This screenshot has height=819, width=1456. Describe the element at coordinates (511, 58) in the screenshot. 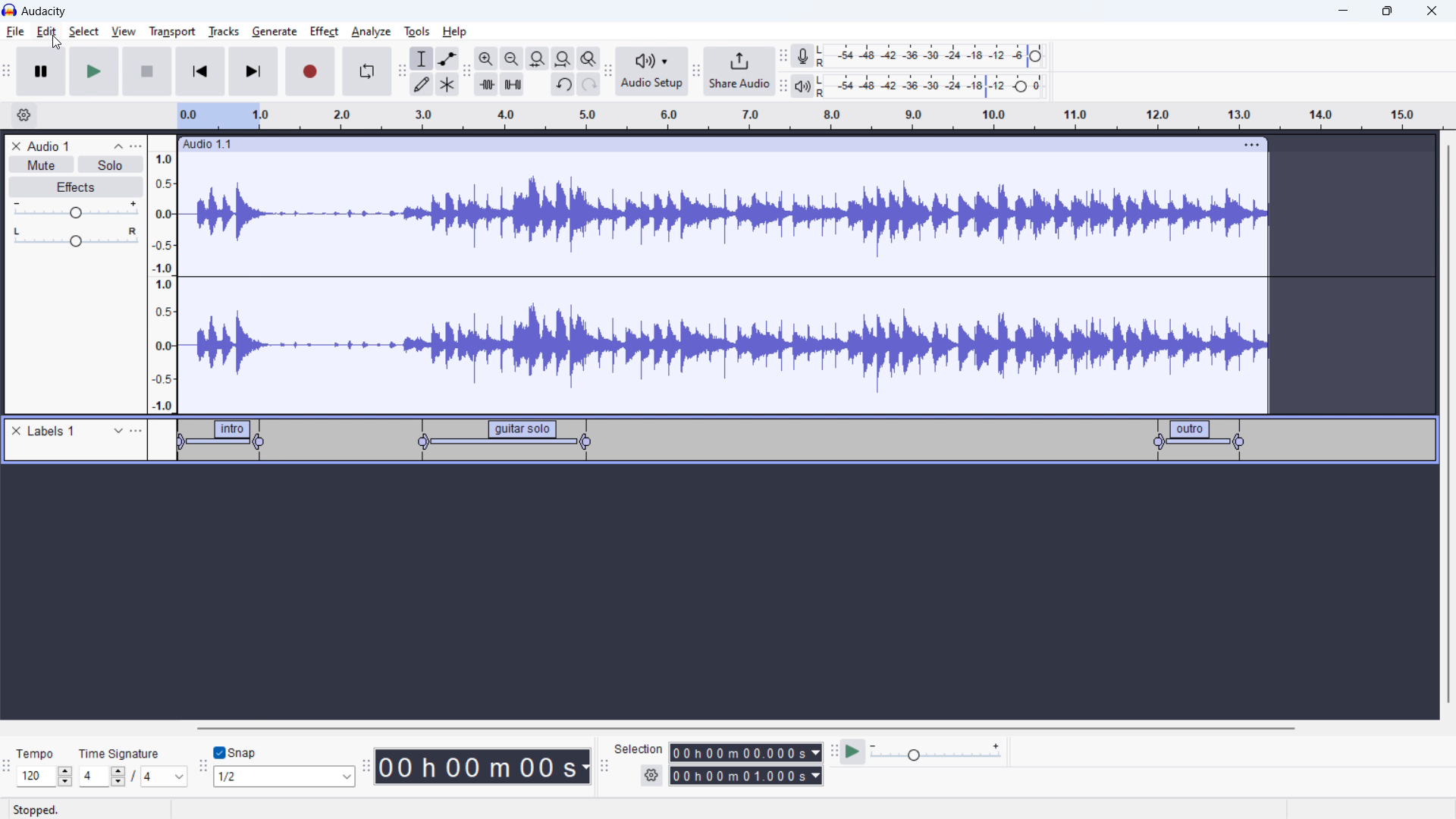

I see `zoom out` at that location.